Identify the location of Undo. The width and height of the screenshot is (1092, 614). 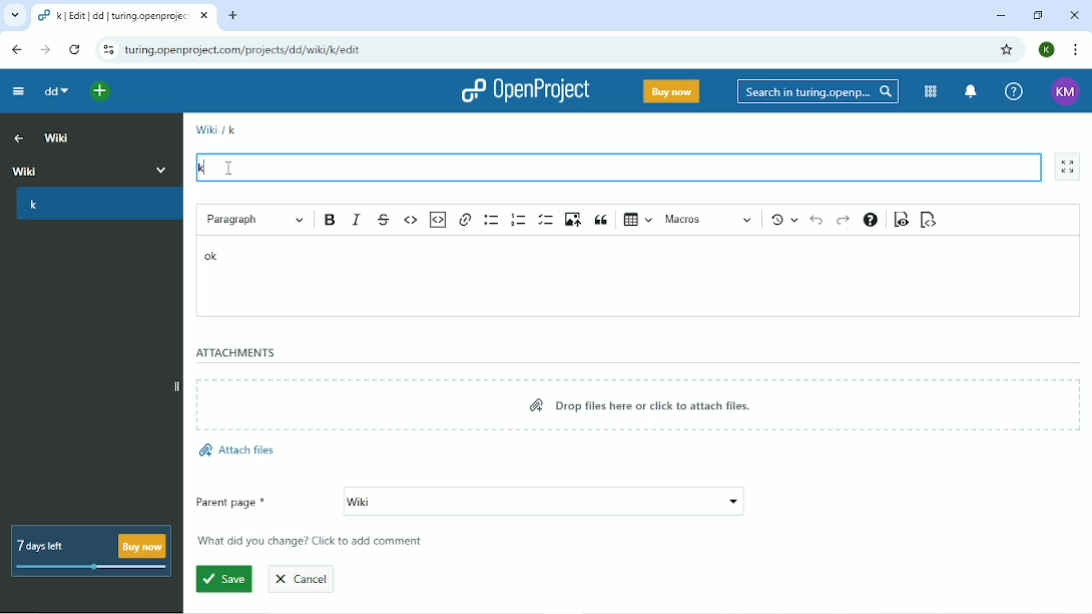
(817, 222).